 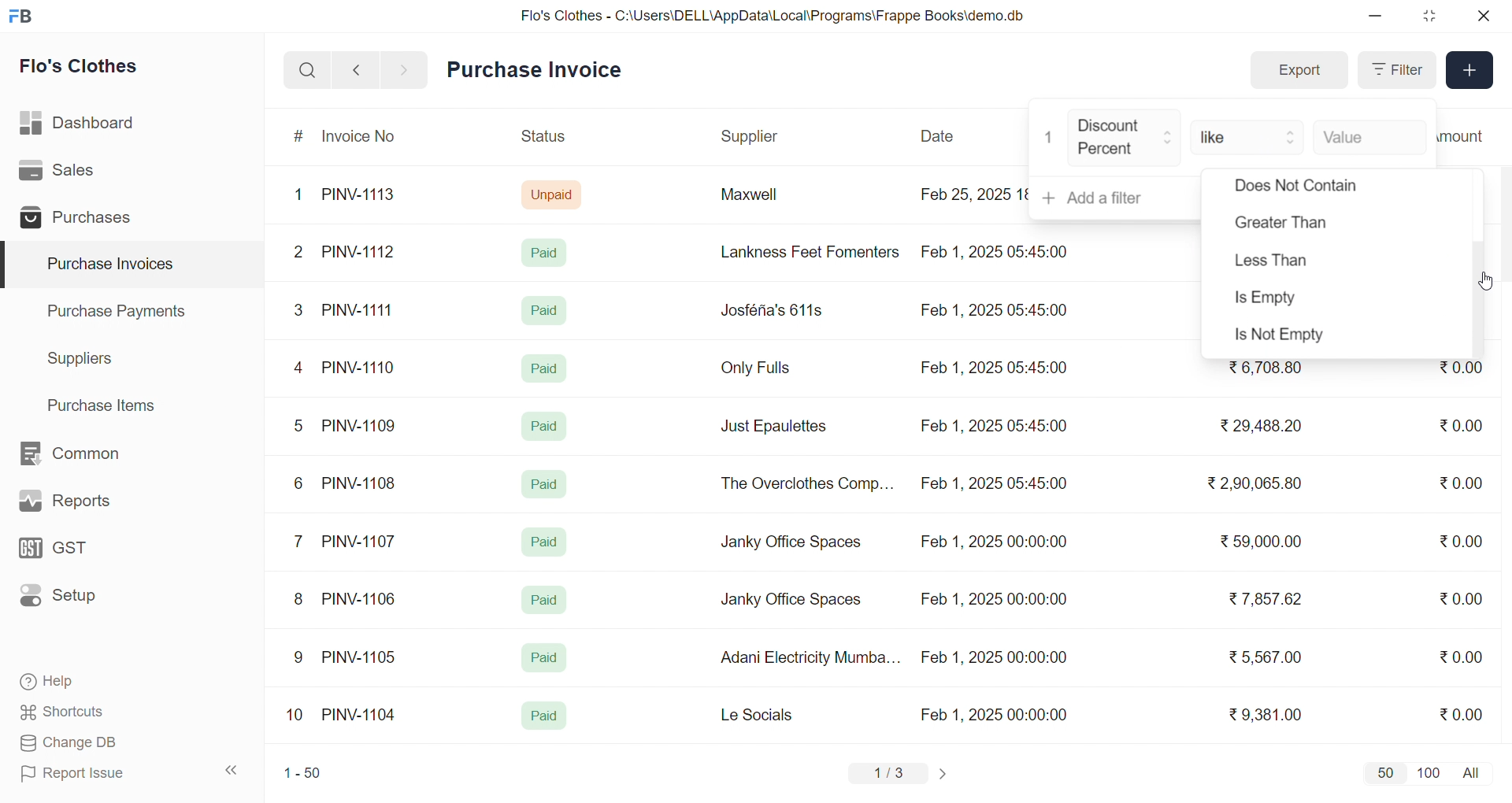 What do you see at coordinates (1429, 16) in the screenshot?
I see `resize` at bounding box center [1429, 16].